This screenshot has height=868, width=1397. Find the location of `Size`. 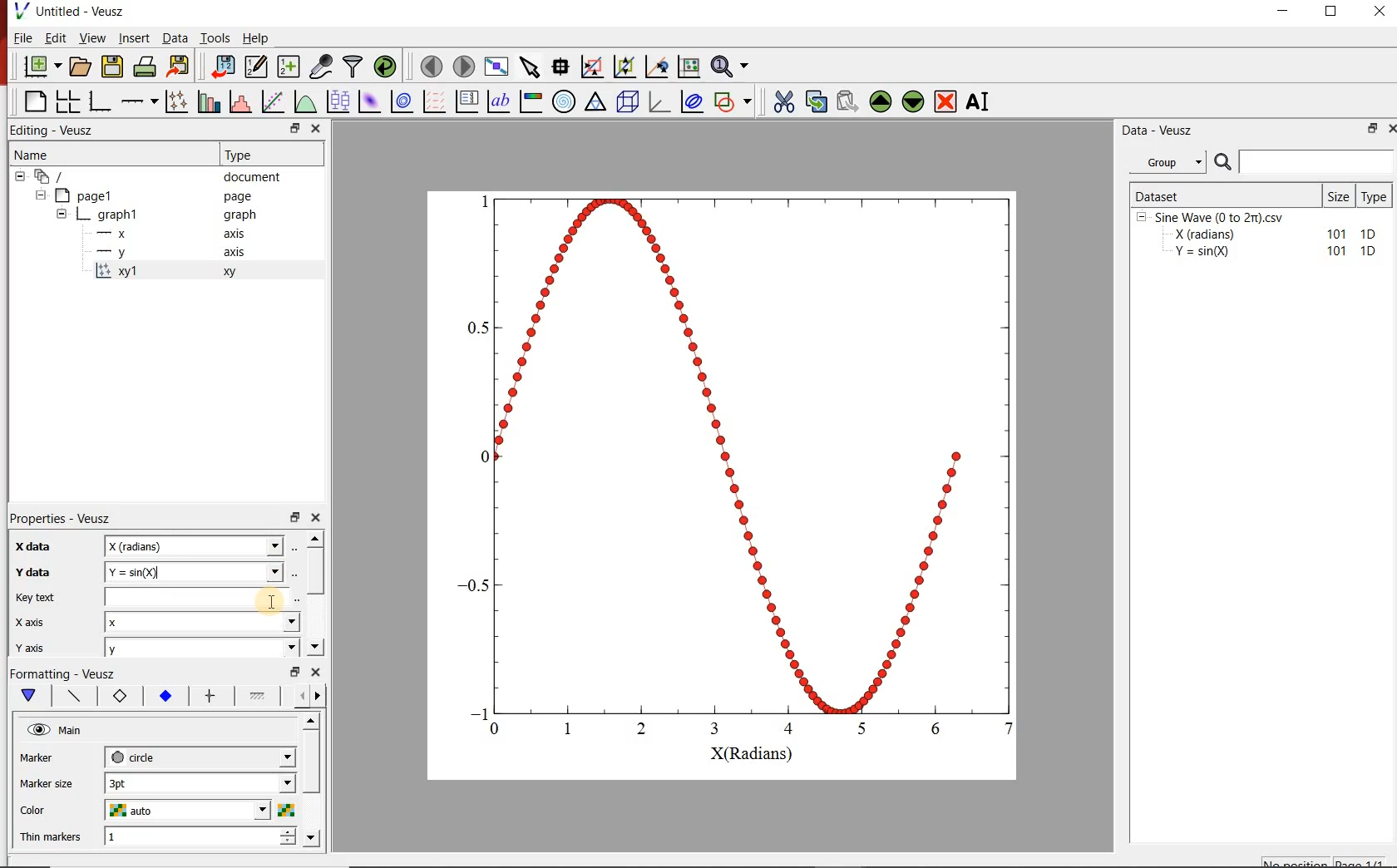

Size is located at coordinates (1340, 195).